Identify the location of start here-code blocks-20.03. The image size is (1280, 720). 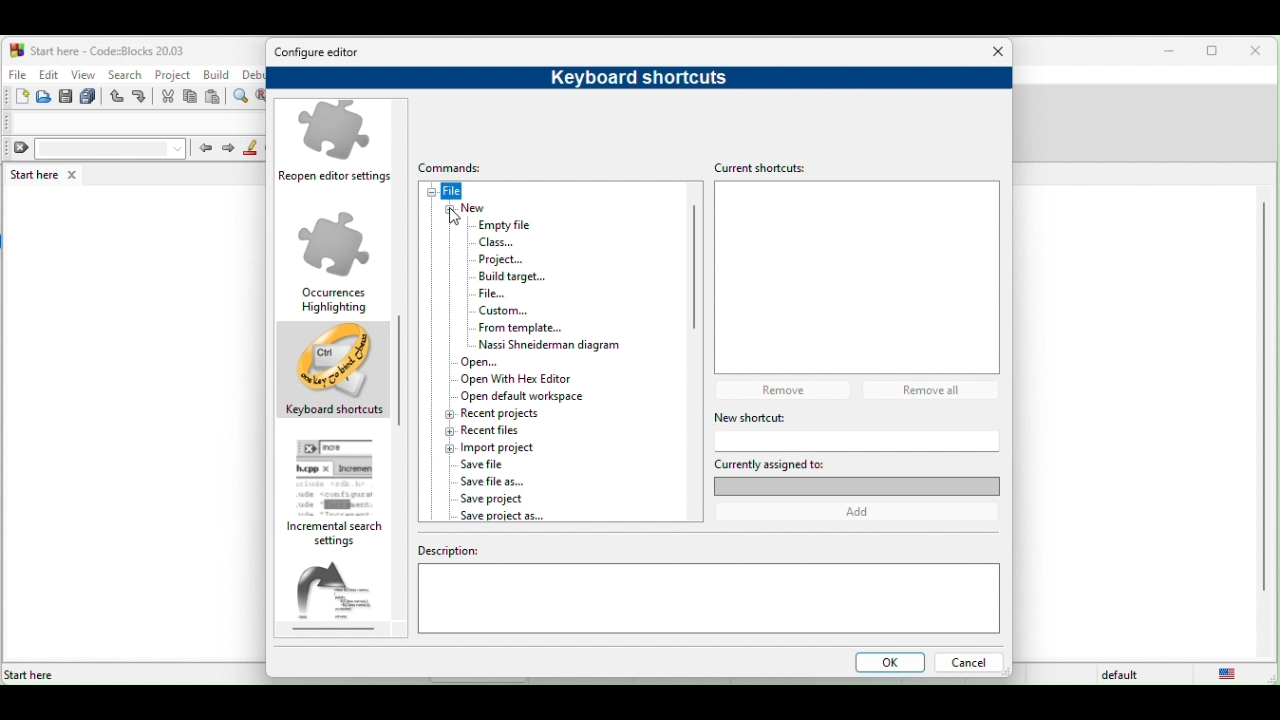
(97, 49).